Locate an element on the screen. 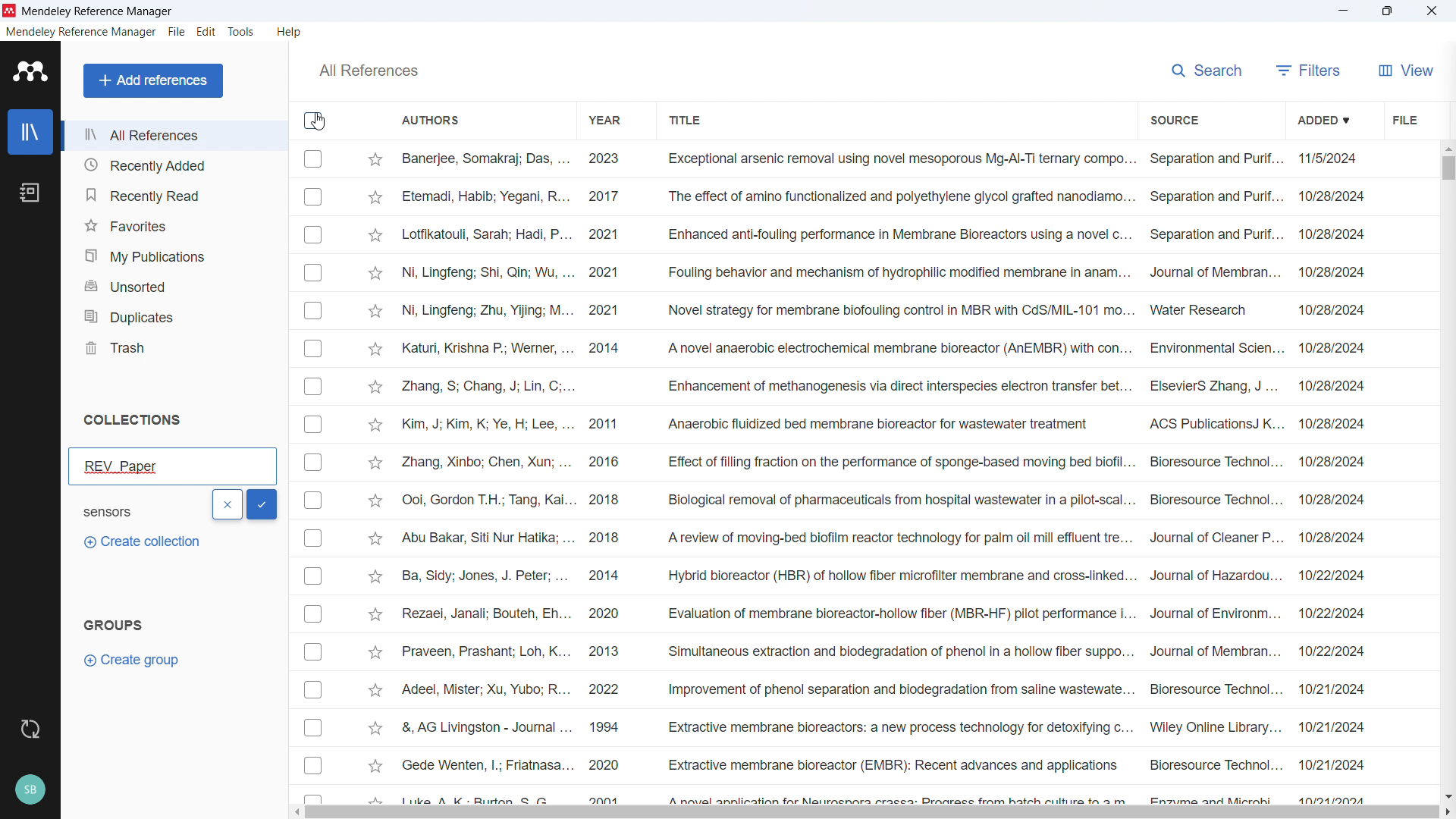 Image resolution: width=1456 pixels, height=819 pixels. Create collection  is located at coordinates (140, 542).